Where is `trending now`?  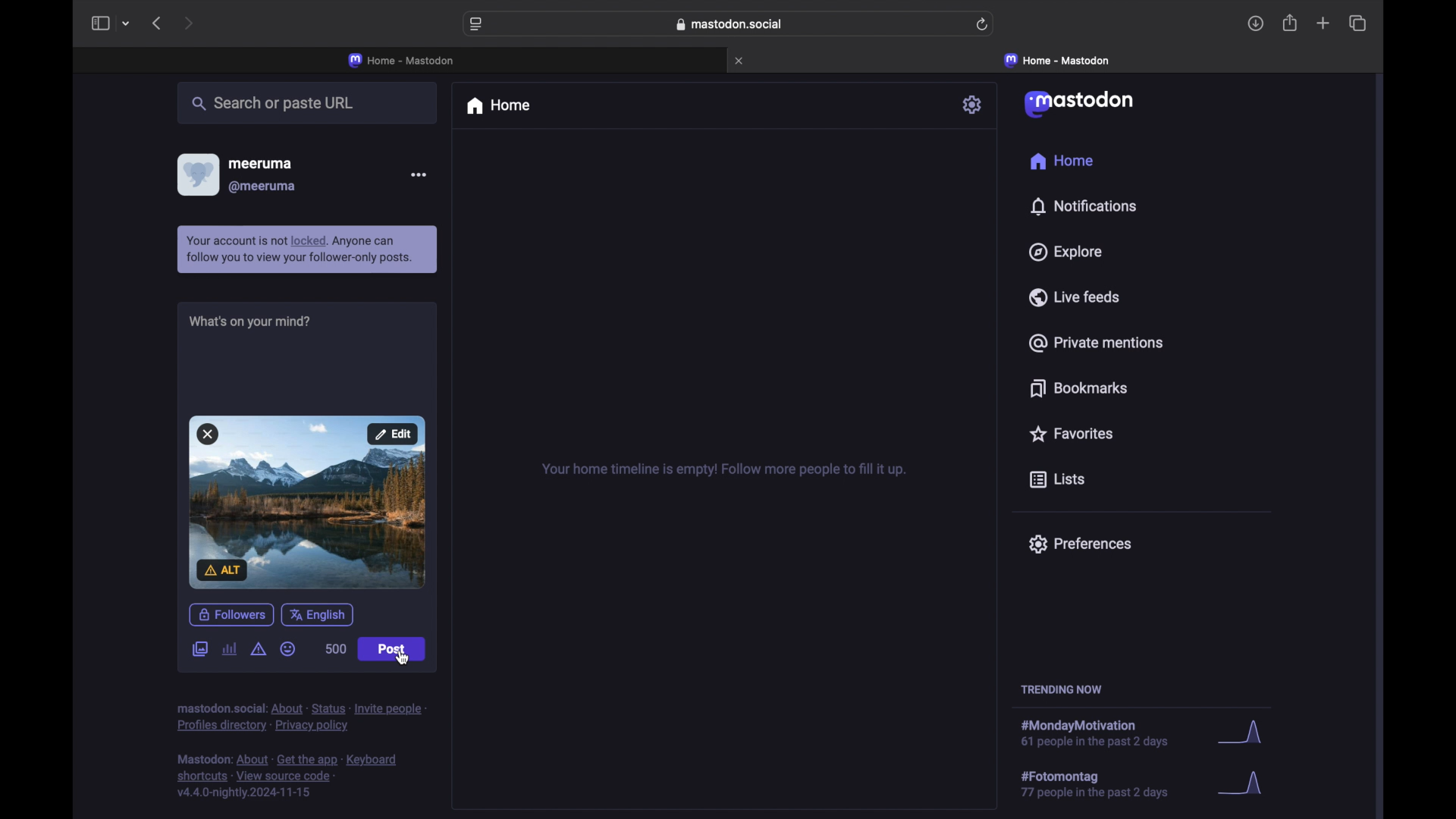
trending now is located at coordinates (1061, 689).